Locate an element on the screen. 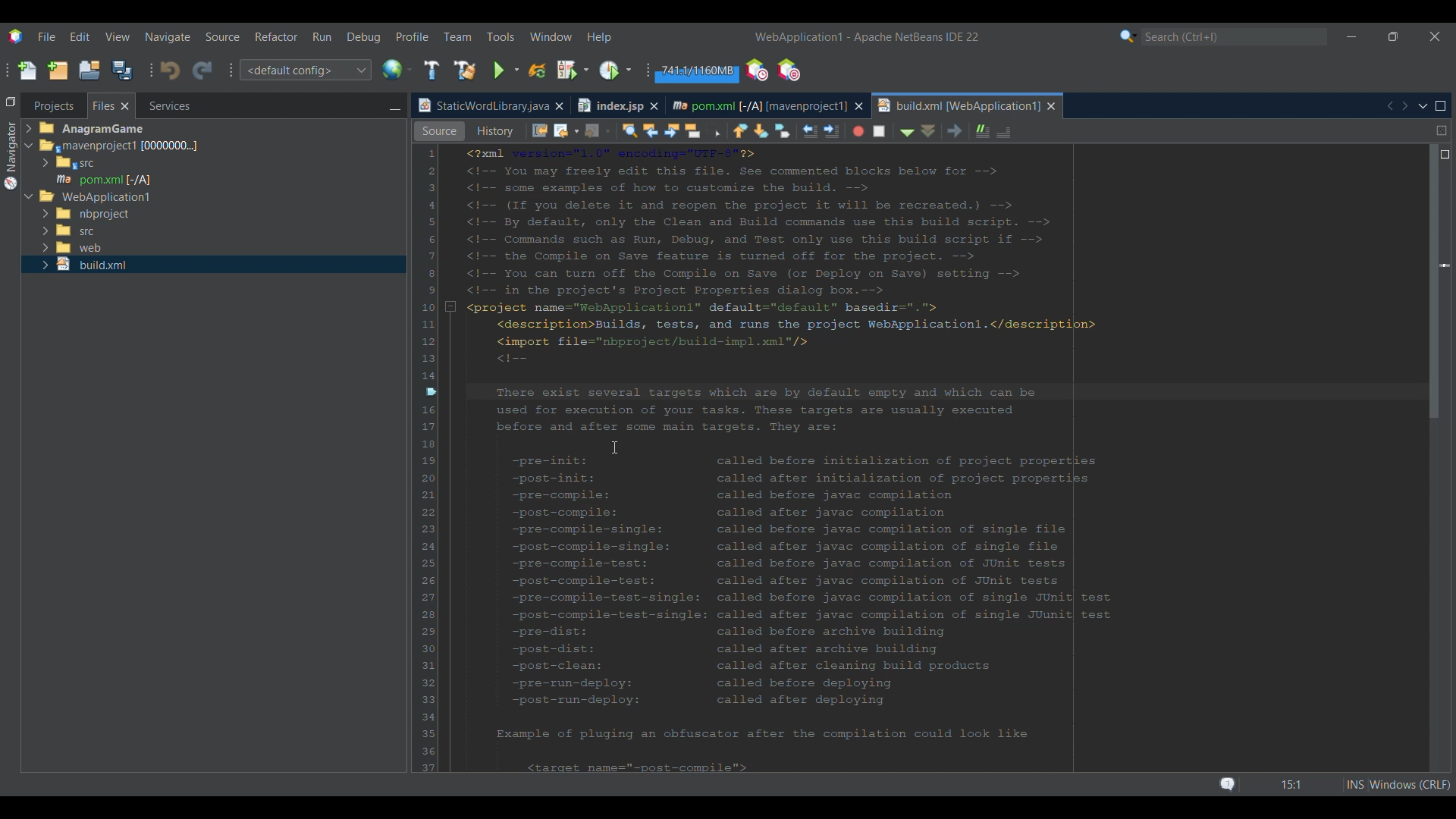 The height and width of the screenshot is (819, 1456). Team menu is located at coordinates (457, 36).